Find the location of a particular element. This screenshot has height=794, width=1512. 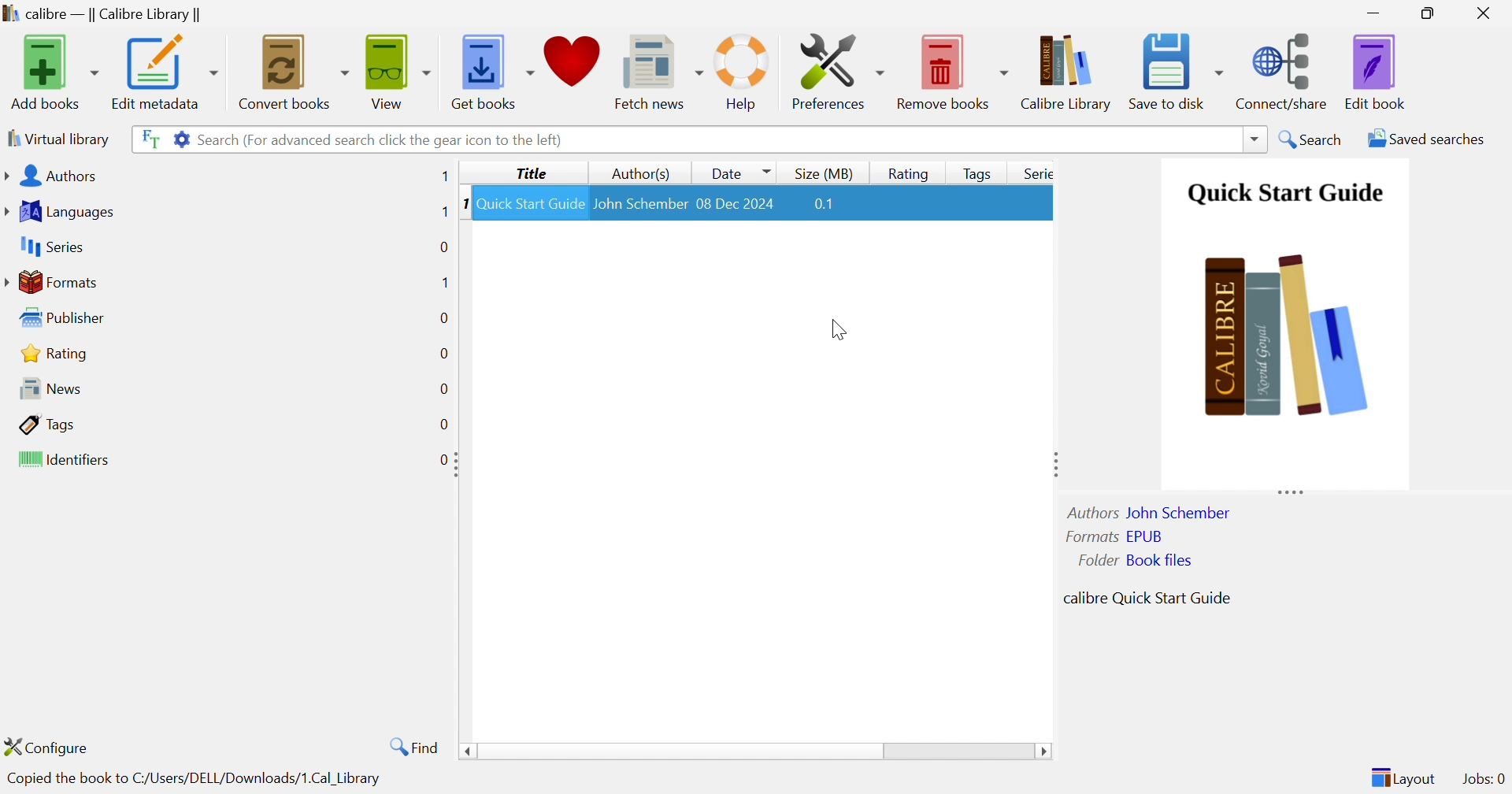

Expand is located at coordinates (1054, 462).